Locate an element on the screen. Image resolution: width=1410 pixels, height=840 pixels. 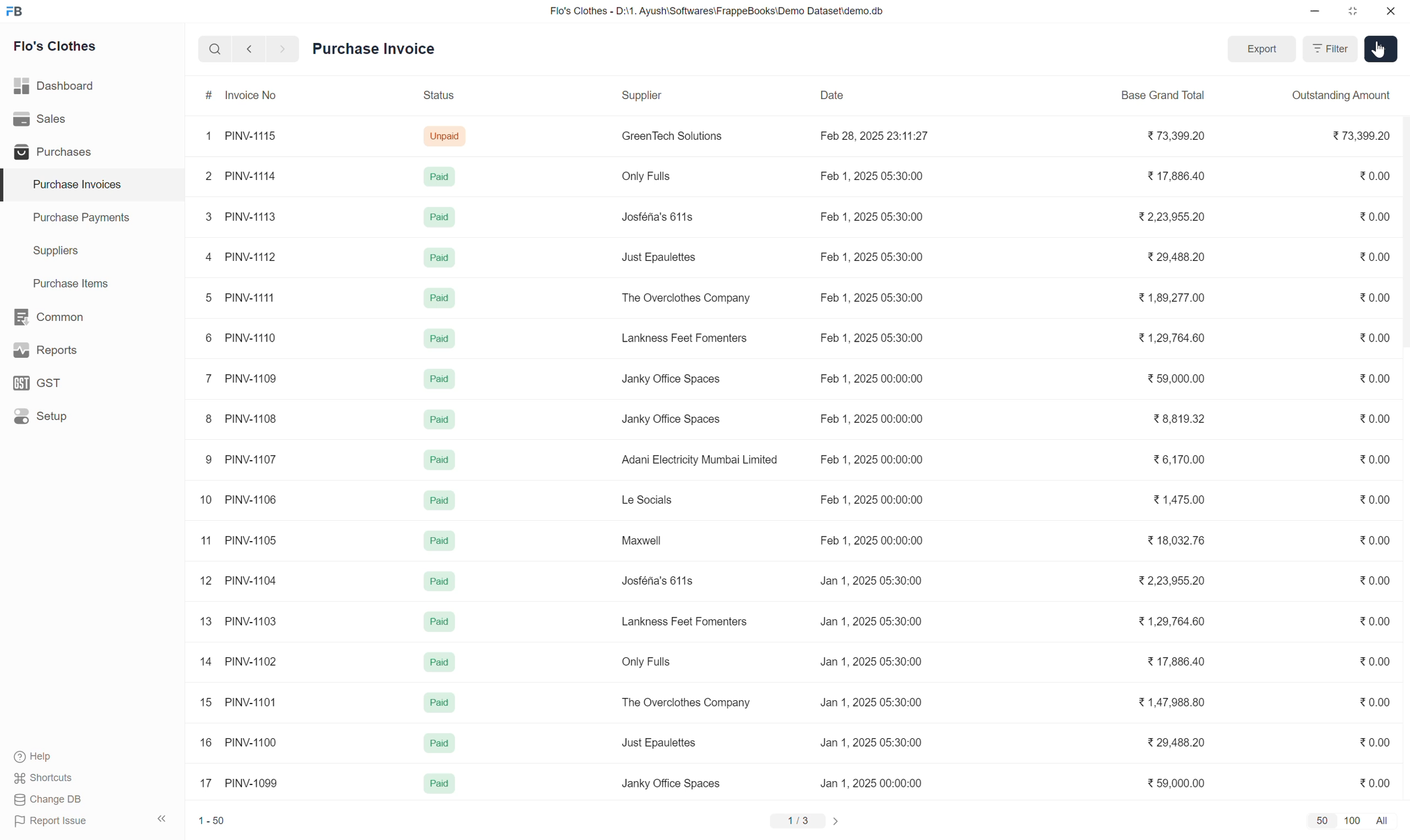
1-50 is located at coordinates (213, 819).